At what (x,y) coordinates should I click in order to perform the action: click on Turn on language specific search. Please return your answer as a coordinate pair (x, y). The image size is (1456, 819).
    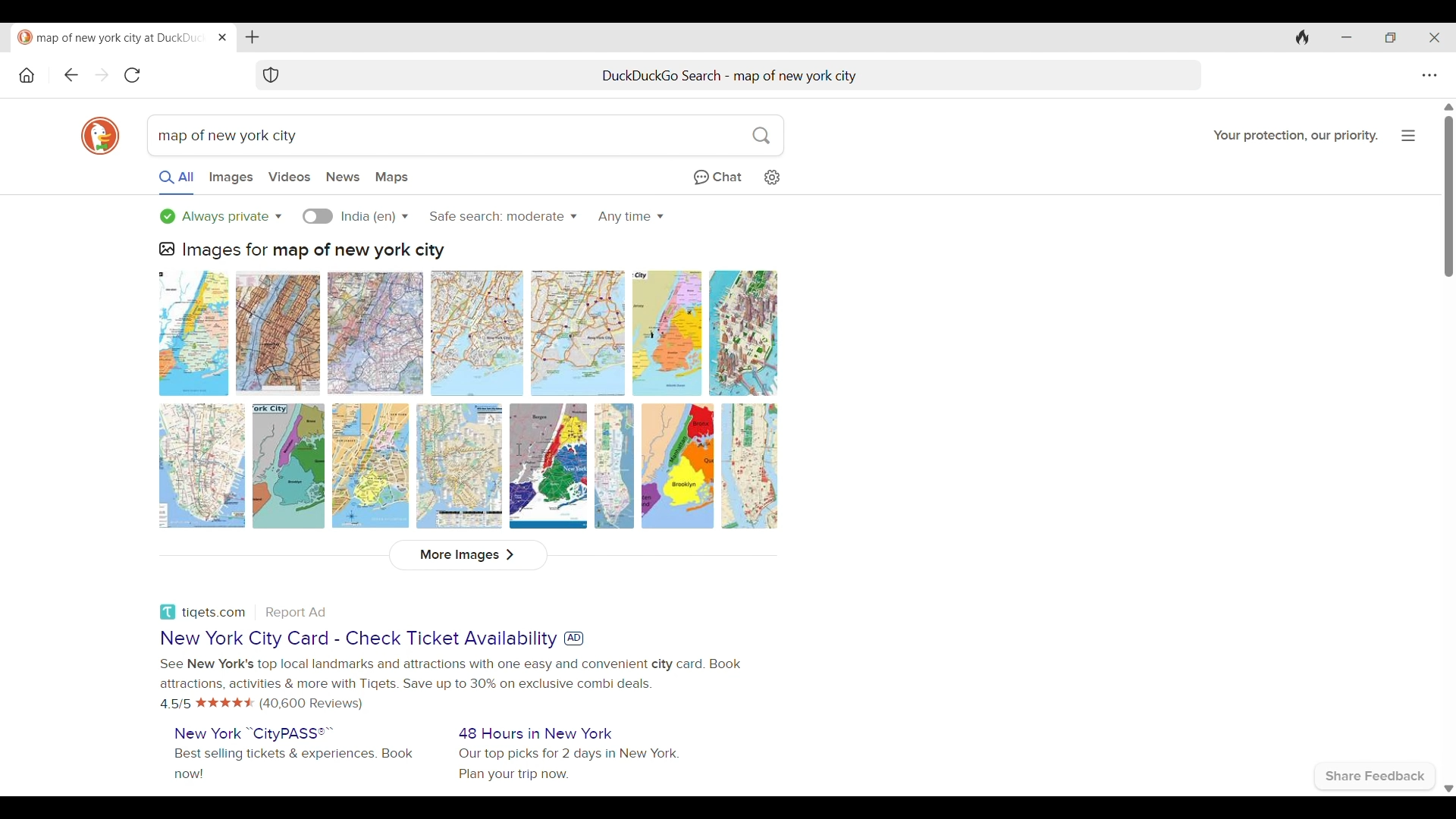
    Looking at the image, I should click on (318, 216).